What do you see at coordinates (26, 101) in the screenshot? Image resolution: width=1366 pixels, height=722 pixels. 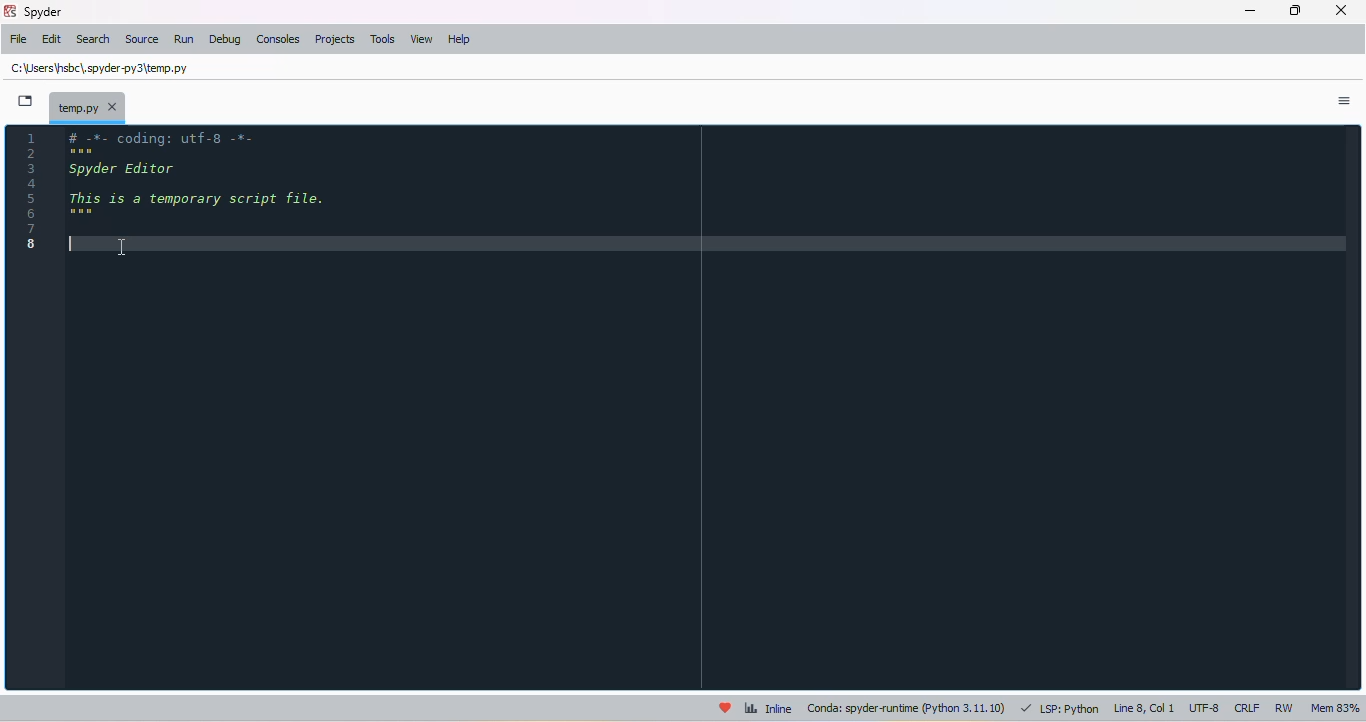 I see `browse tabs` at bounding box center [26, 101].